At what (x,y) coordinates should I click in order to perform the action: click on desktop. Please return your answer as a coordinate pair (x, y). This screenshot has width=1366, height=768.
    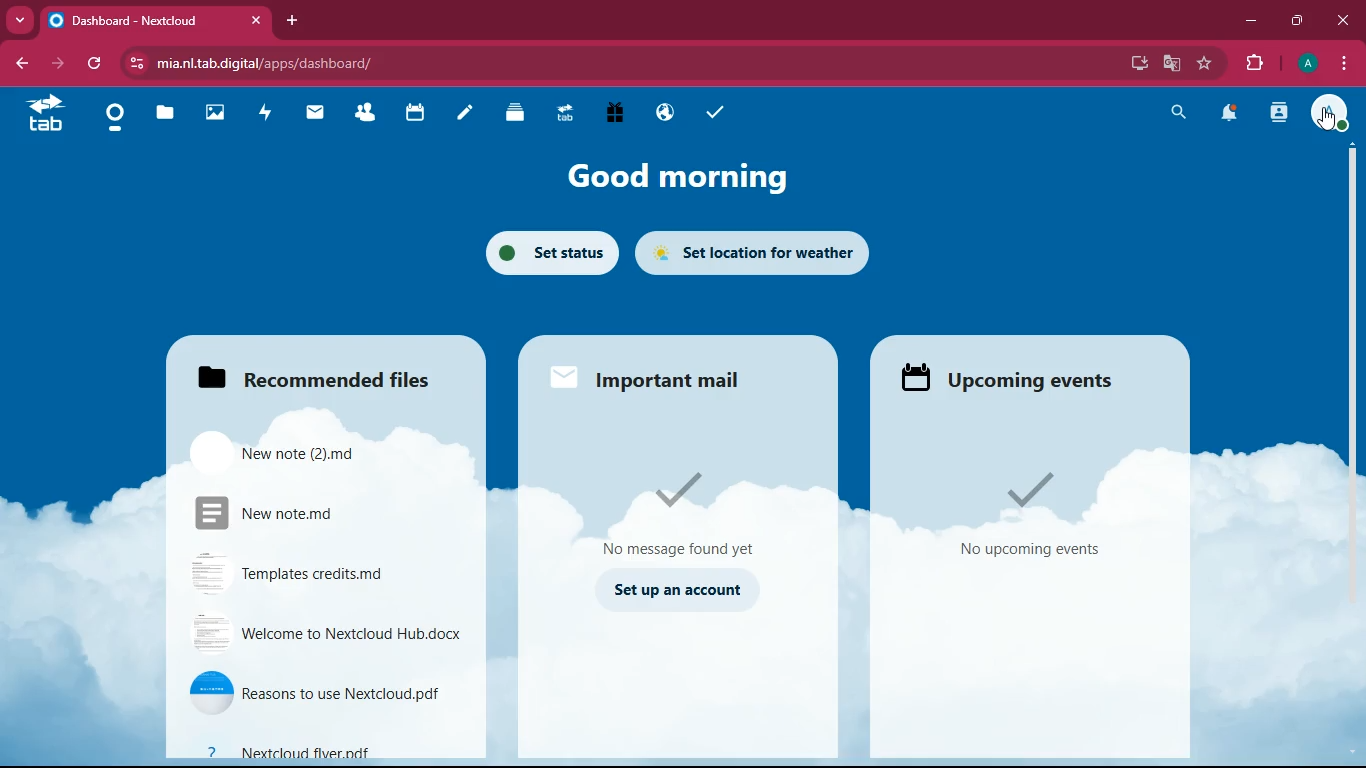
    Looking at the image, I should click on (1131, 63).